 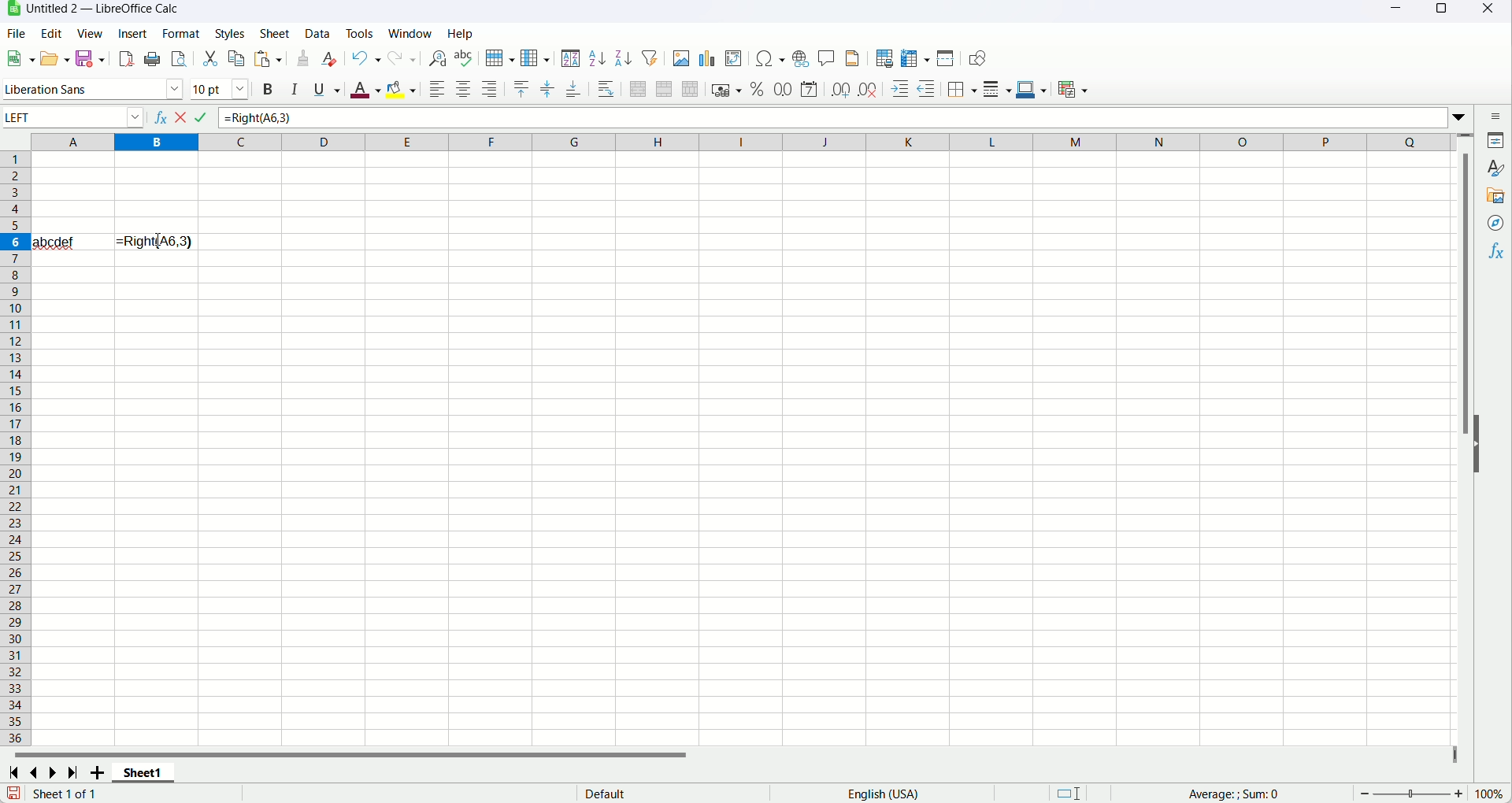 I want to click on sheet1, so click(x=146, y=772).